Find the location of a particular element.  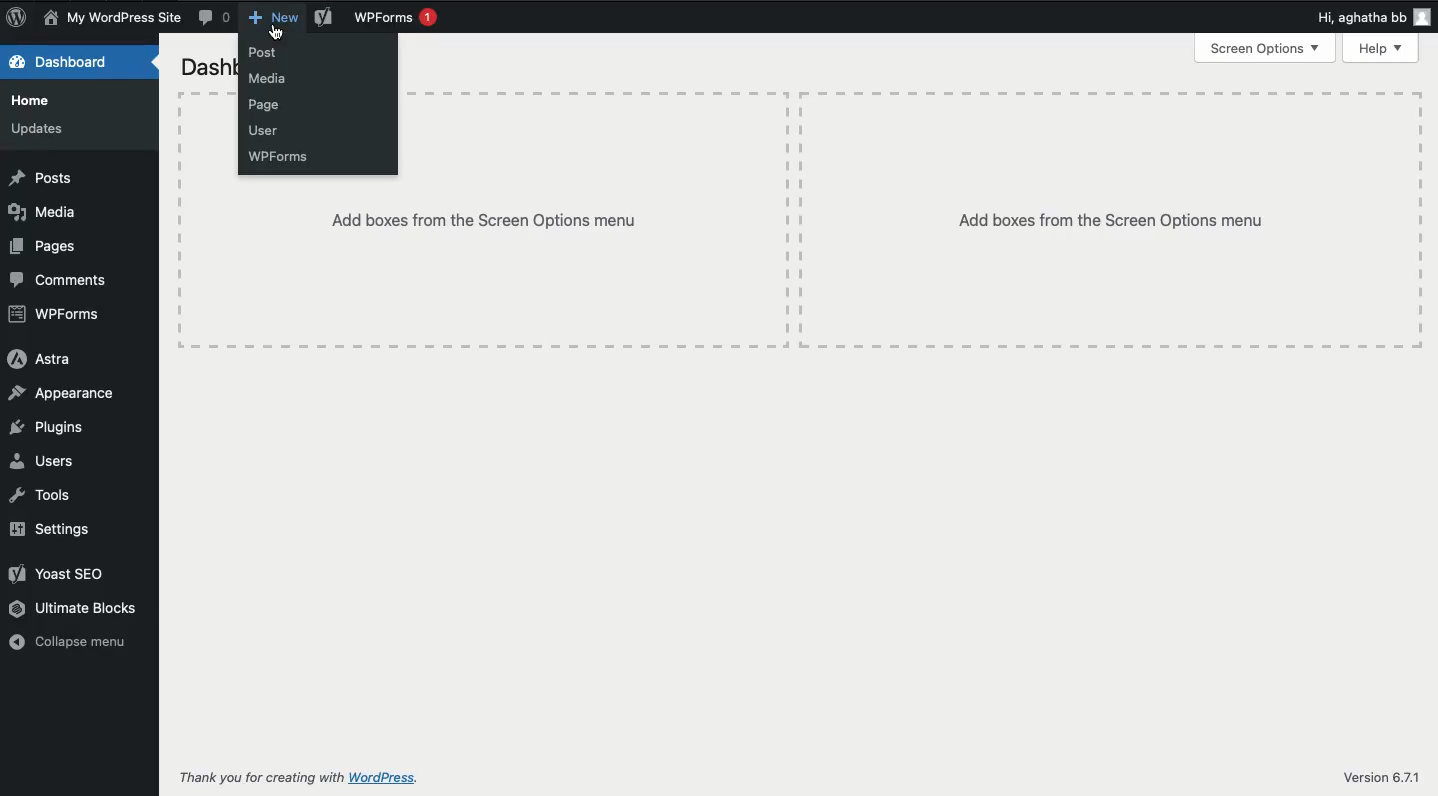

Astra is located at coordinates (41, 359).